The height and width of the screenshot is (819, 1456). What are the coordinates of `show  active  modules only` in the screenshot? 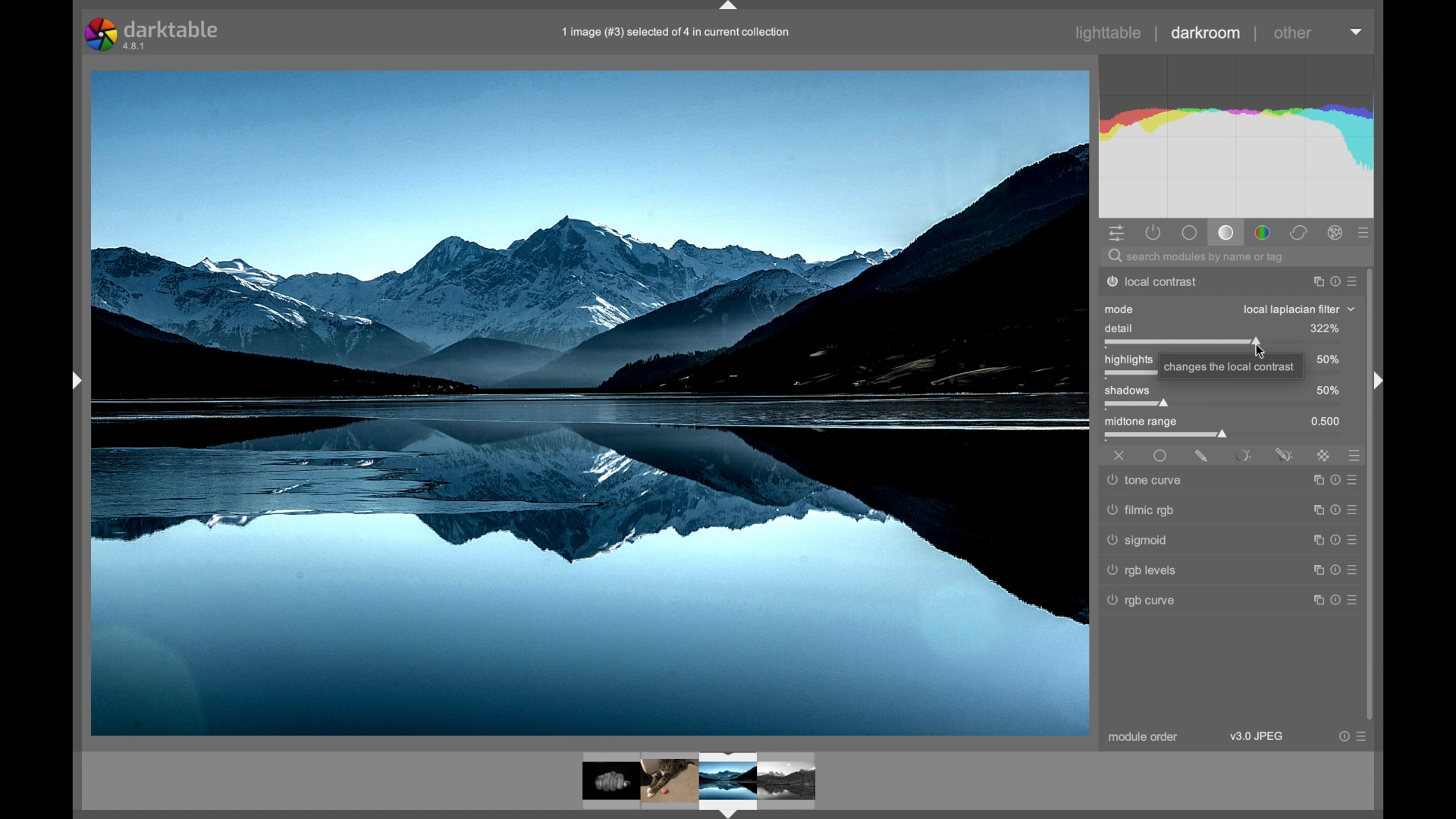 It's located at (1154, 233).